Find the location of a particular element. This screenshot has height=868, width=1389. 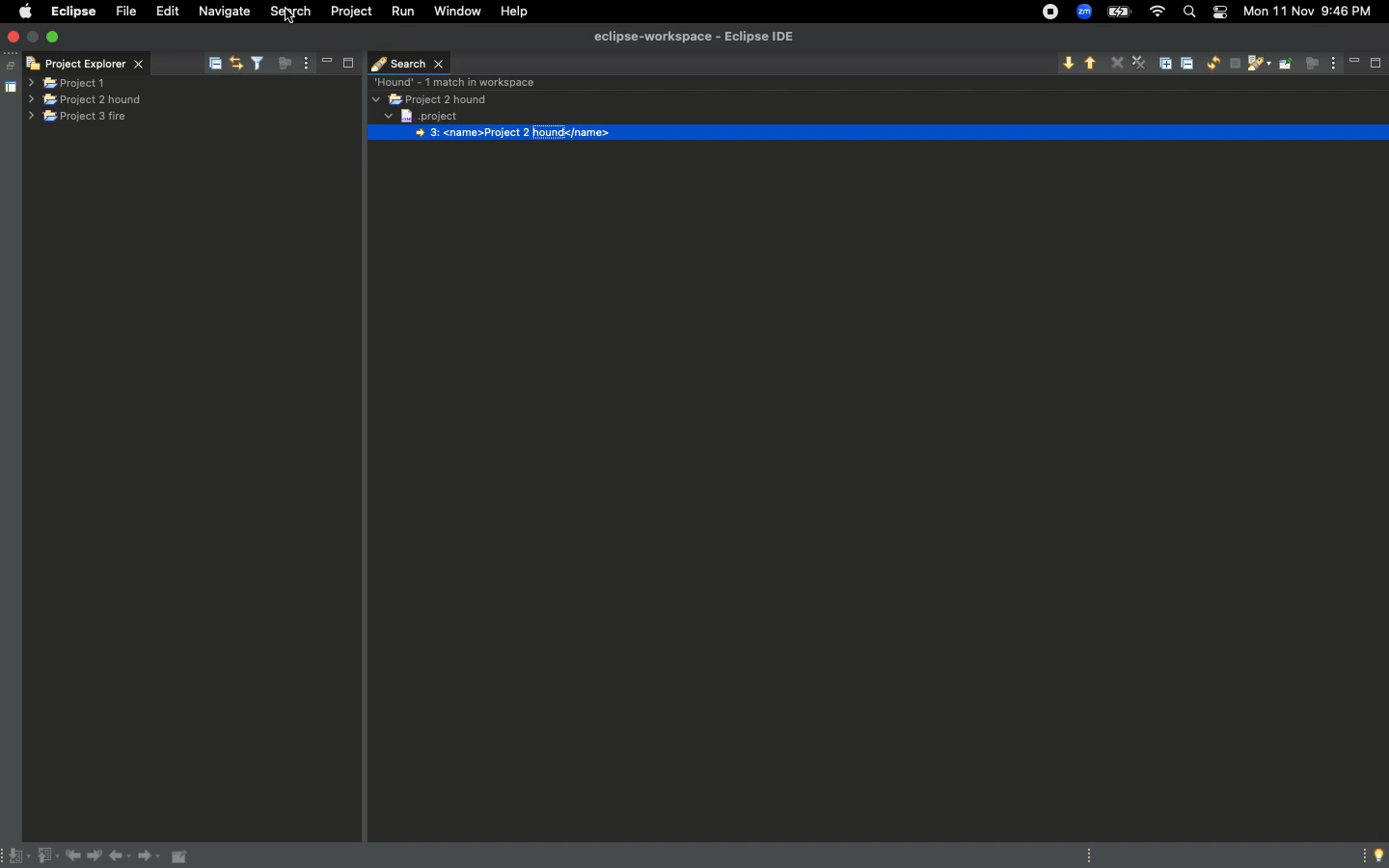

maximise is located at coordinates (55, 38).